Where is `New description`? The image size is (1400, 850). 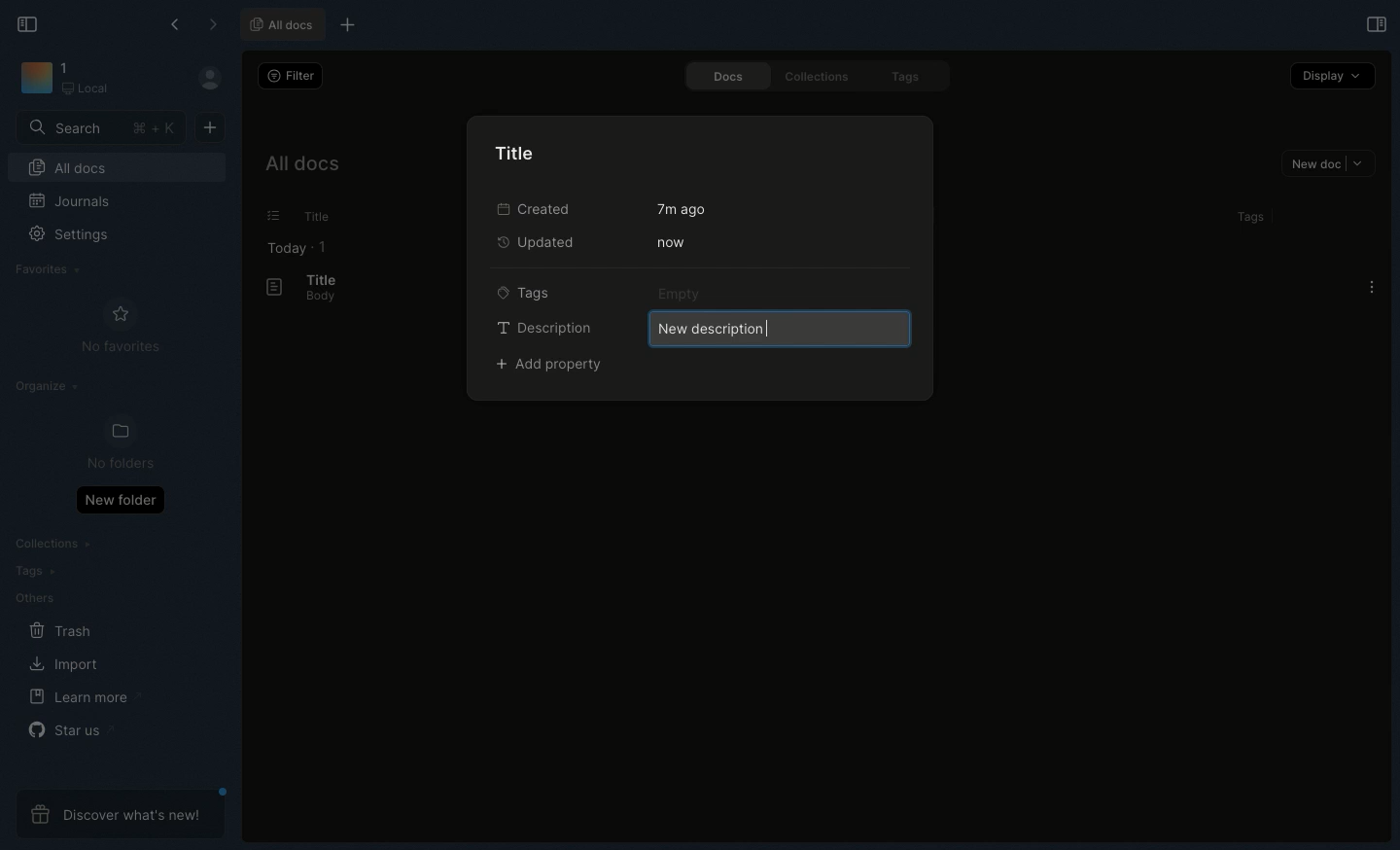 New description is located at coordinates (777, 328).